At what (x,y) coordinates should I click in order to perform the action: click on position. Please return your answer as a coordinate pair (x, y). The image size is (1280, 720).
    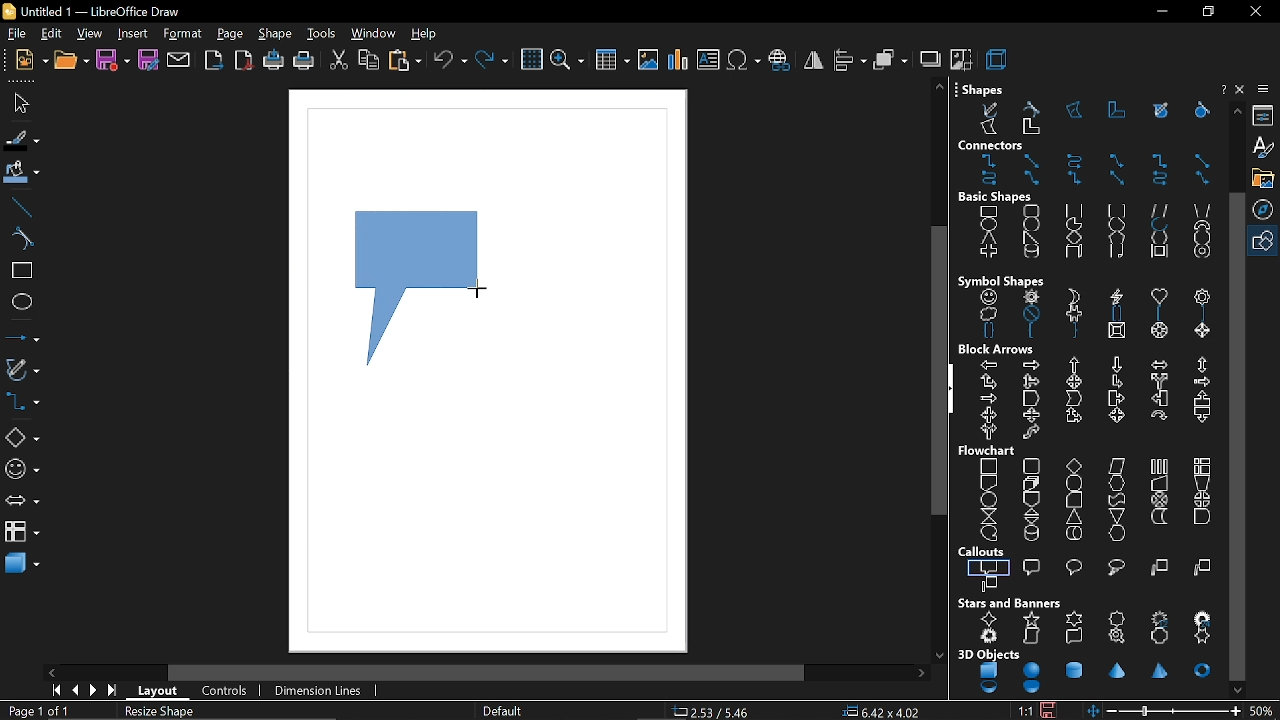
    Looking at the image, I should click on (881, 712).